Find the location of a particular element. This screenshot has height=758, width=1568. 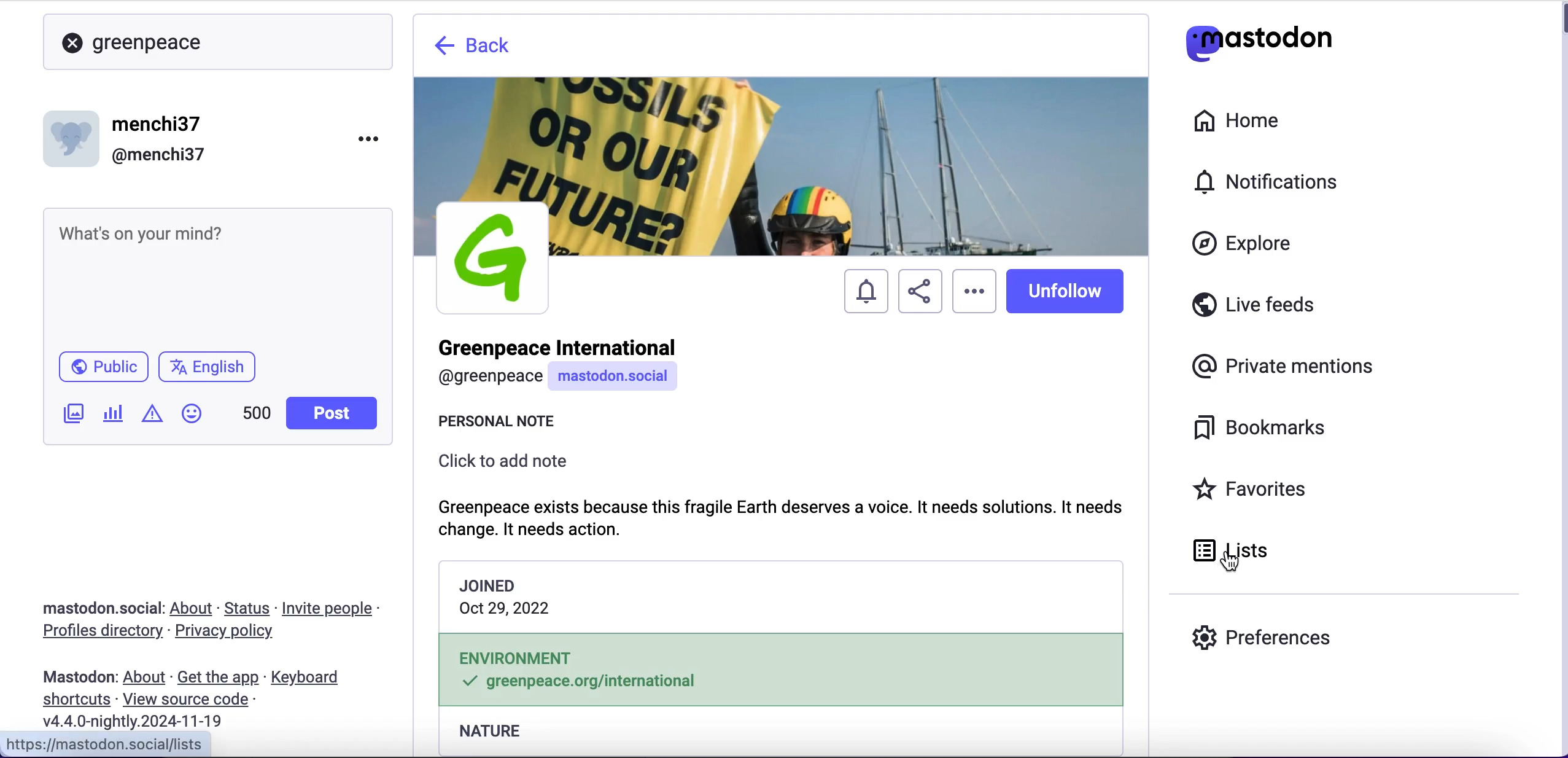

privacy policy is located at coordinates (235, 633).